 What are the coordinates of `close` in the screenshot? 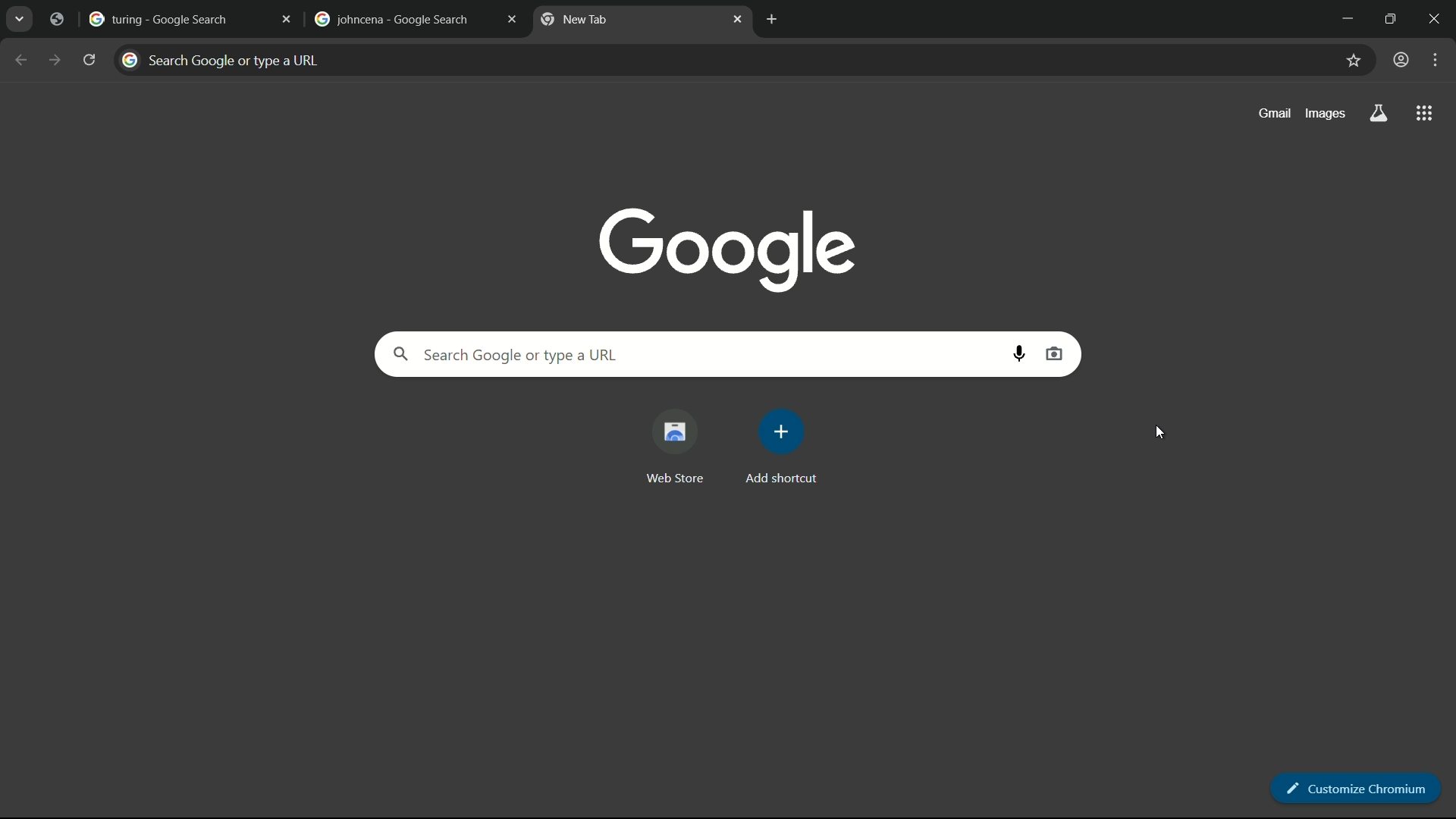 It's located at (513, 20).